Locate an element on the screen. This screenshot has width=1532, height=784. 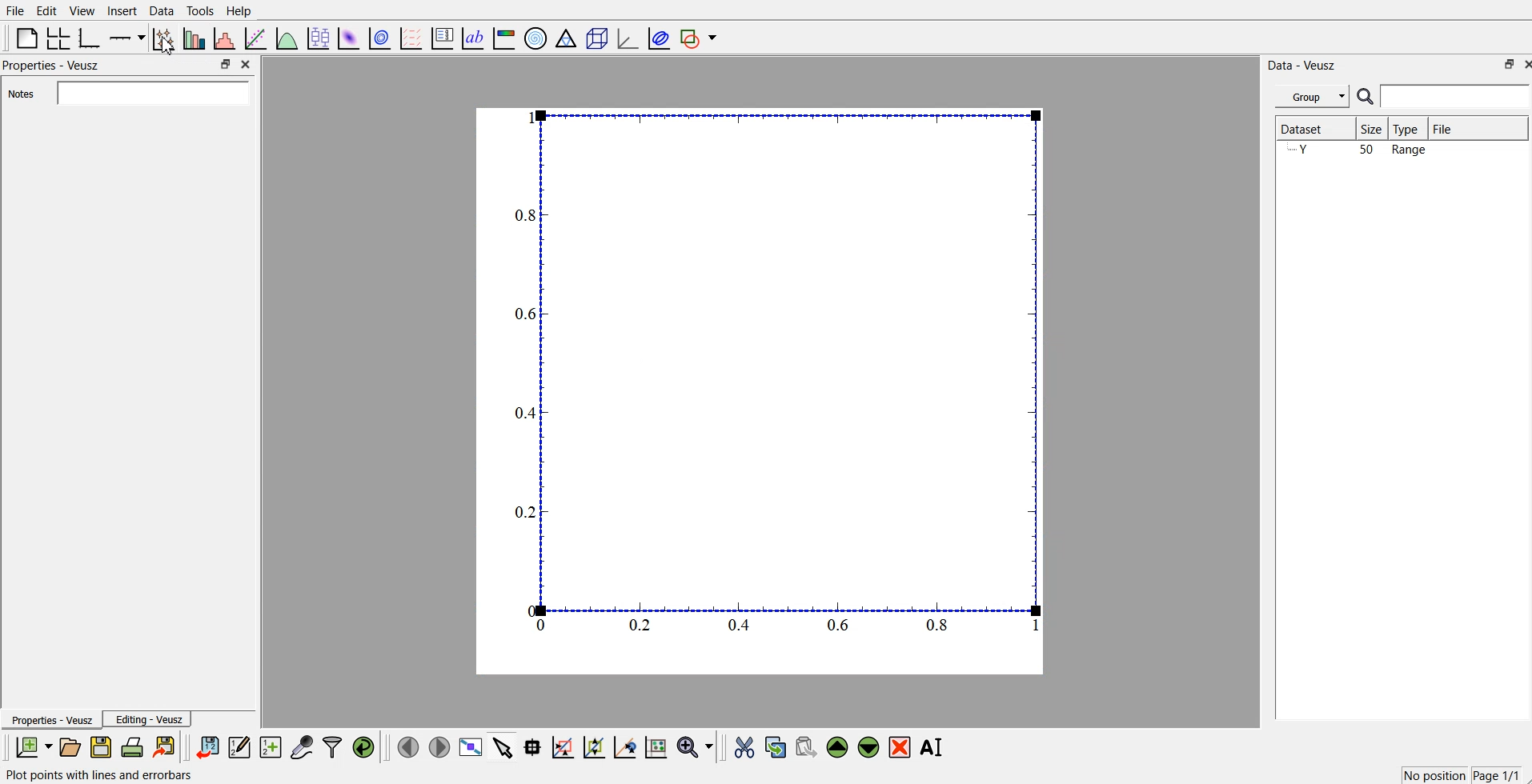
select items is located at coordinates (502, 749).